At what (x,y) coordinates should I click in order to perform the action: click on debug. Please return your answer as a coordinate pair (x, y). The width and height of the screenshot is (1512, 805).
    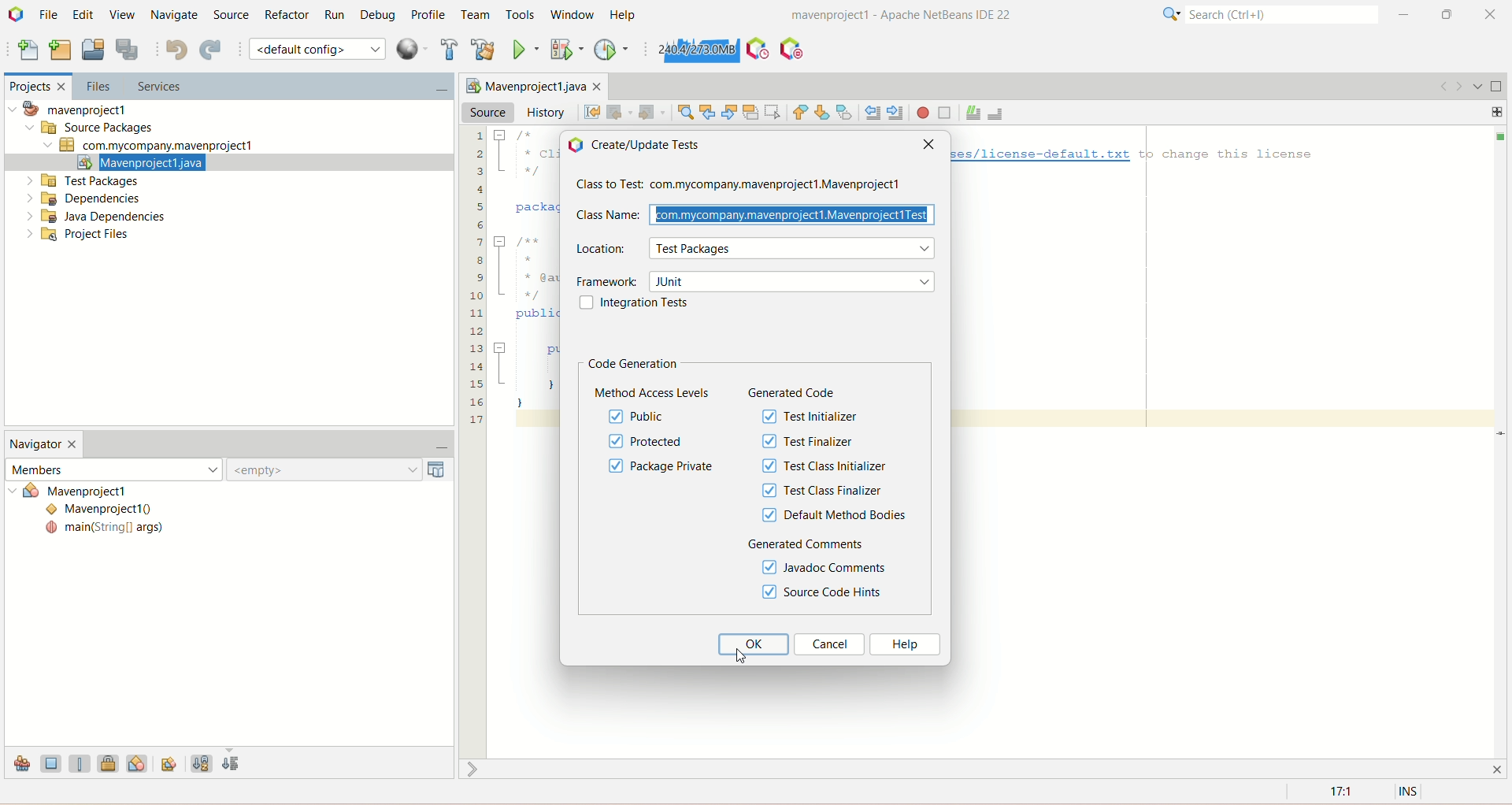
    Looking at the image, I should click on (382, 17).